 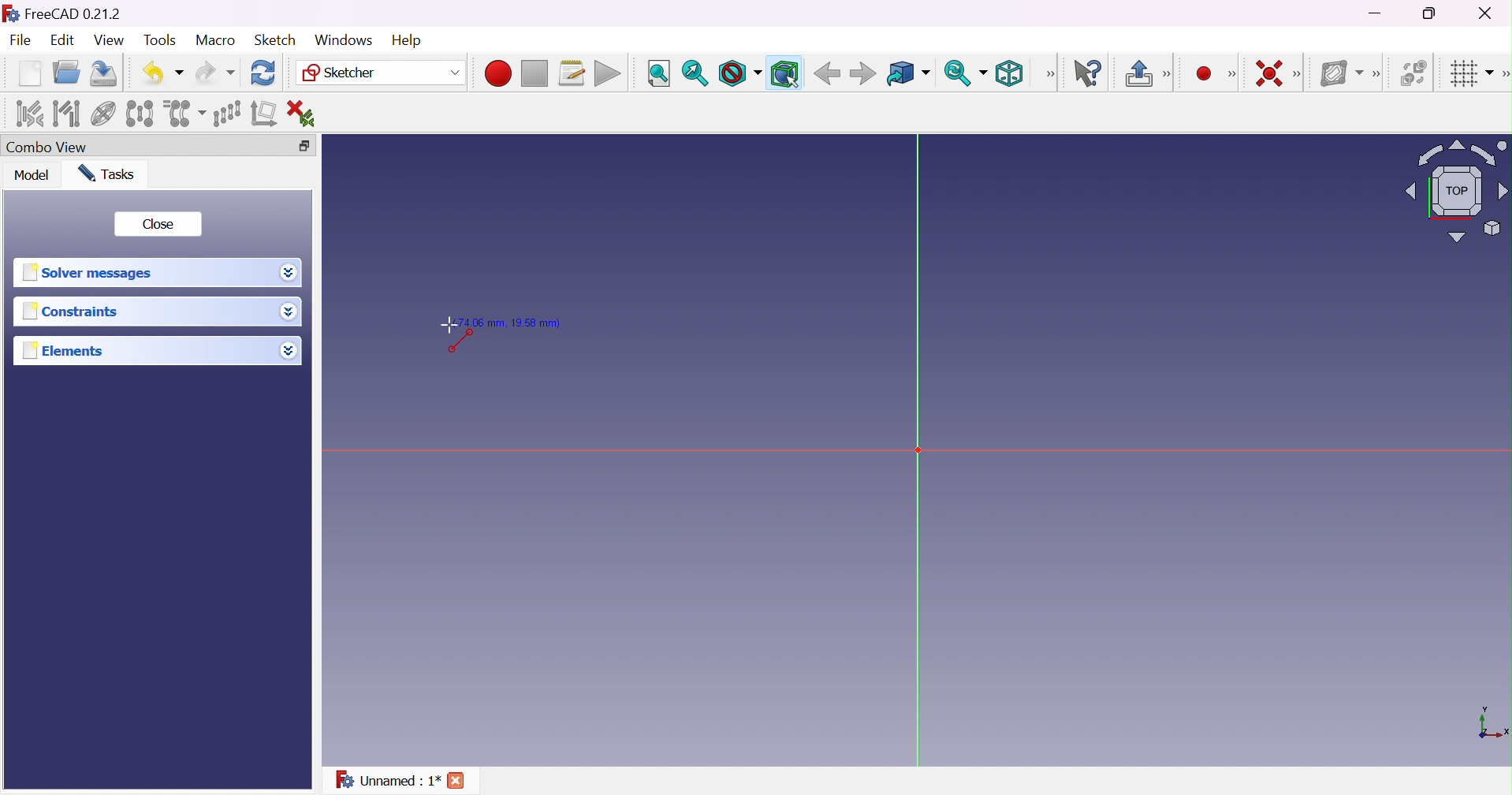 I want to click on Select associated geometry, so click(x=66, y=114).